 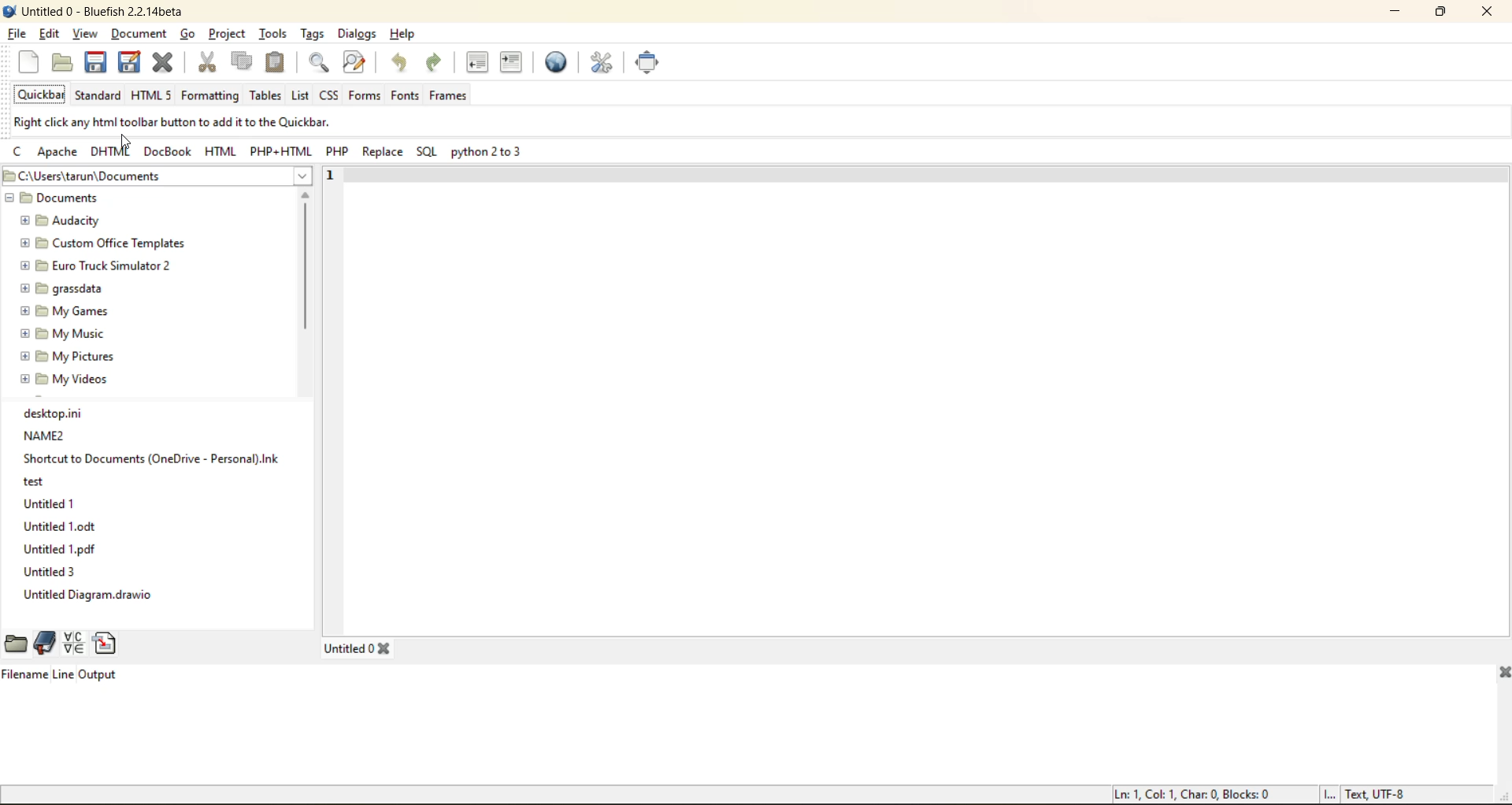 What do you see at coordinates (69, 415) in the screenshot?
I see `desktop.ini` at bounding box center [69, 415].